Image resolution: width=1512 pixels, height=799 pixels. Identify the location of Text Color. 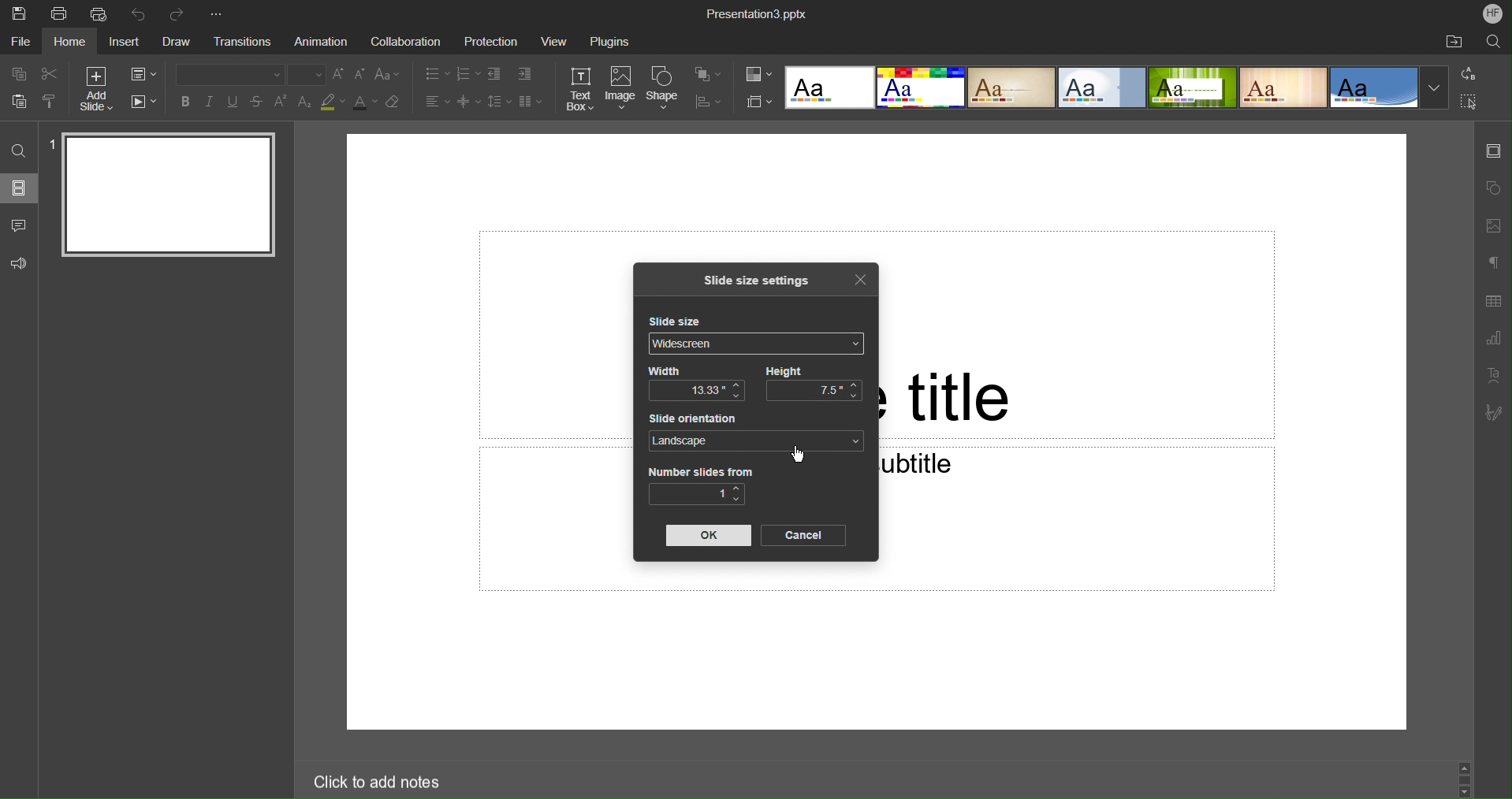
(365, 104).